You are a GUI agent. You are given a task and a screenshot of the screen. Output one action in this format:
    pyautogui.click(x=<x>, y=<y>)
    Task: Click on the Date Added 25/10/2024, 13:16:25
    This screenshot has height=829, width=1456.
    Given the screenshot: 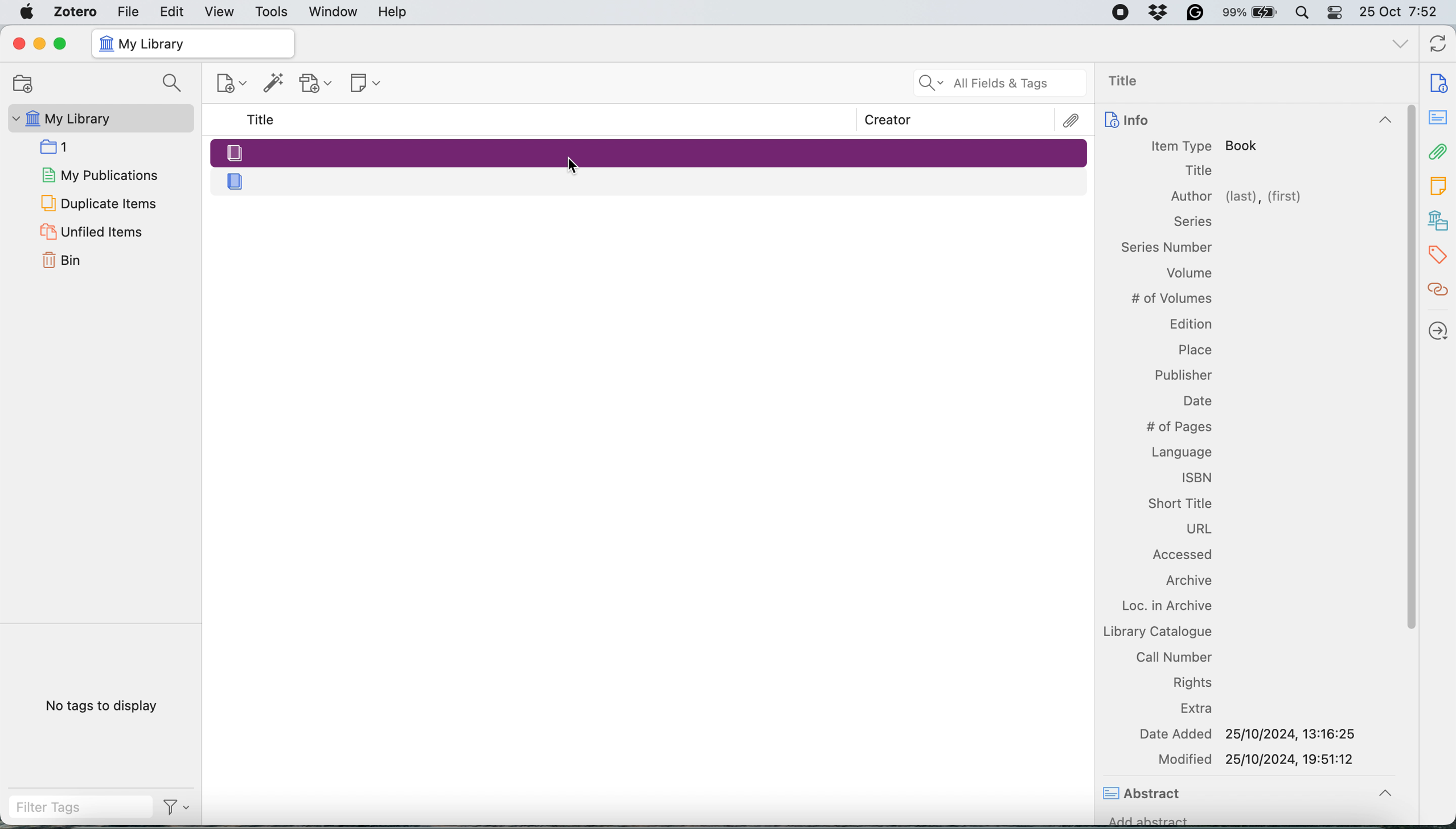 What is the action you would take?
    pyautogui.click(x=1251, y=733)
    